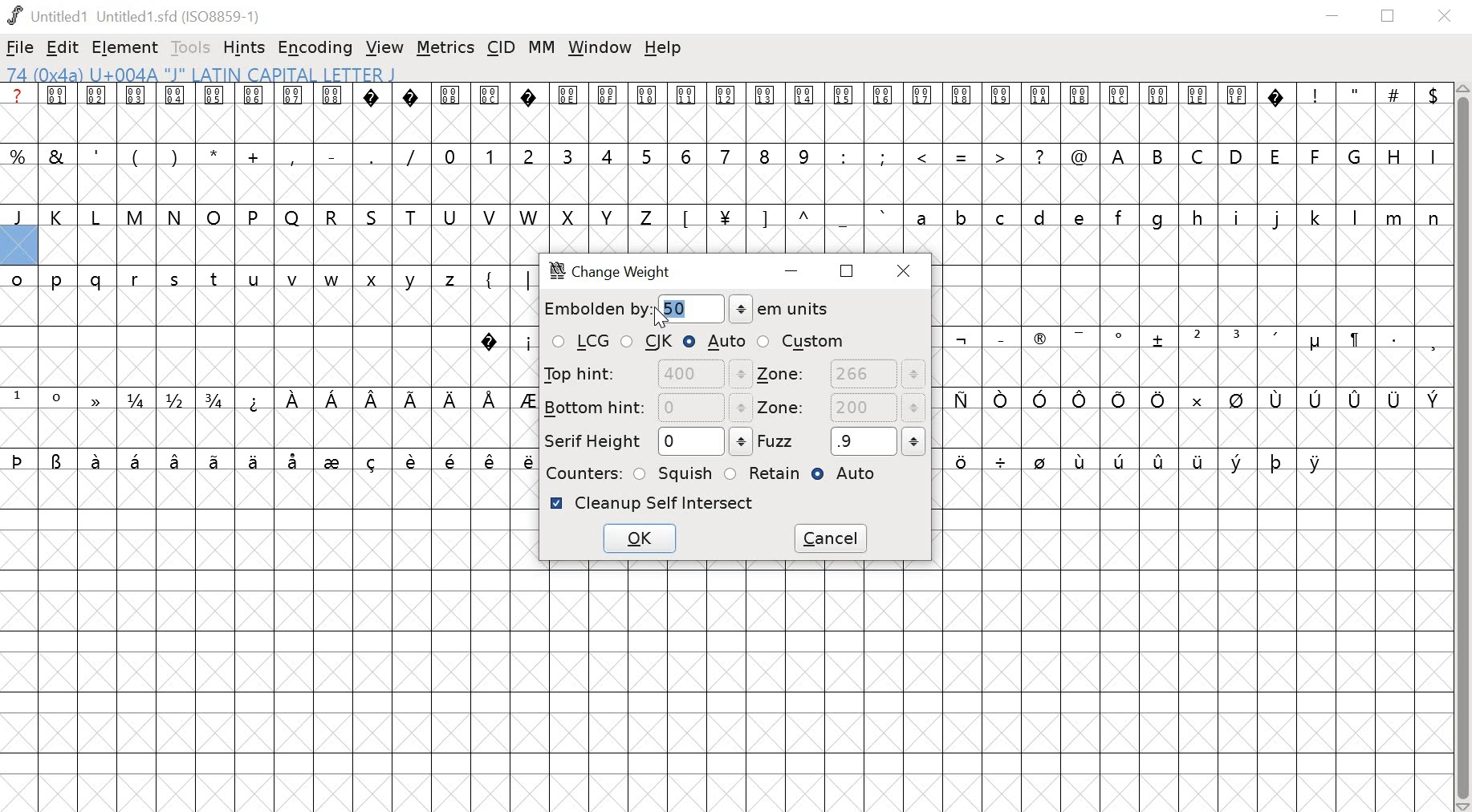 The width and height of the screenshot is (1472, 812). Describe the element at coordinates (762, 473) in the screenshot. I see `RETAIN` at that location.